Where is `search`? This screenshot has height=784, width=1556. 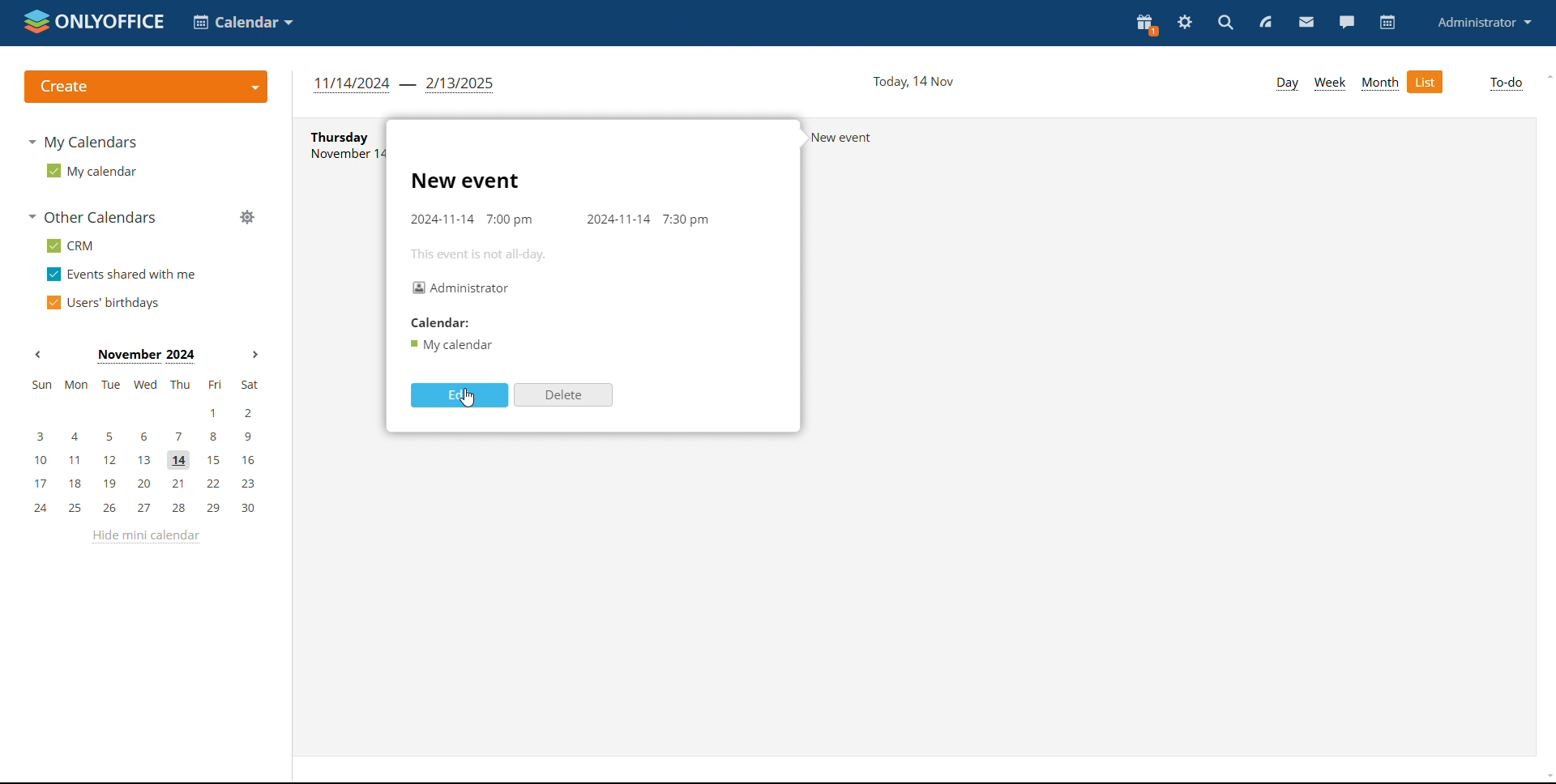
search is located at coordinates (1224, 23).